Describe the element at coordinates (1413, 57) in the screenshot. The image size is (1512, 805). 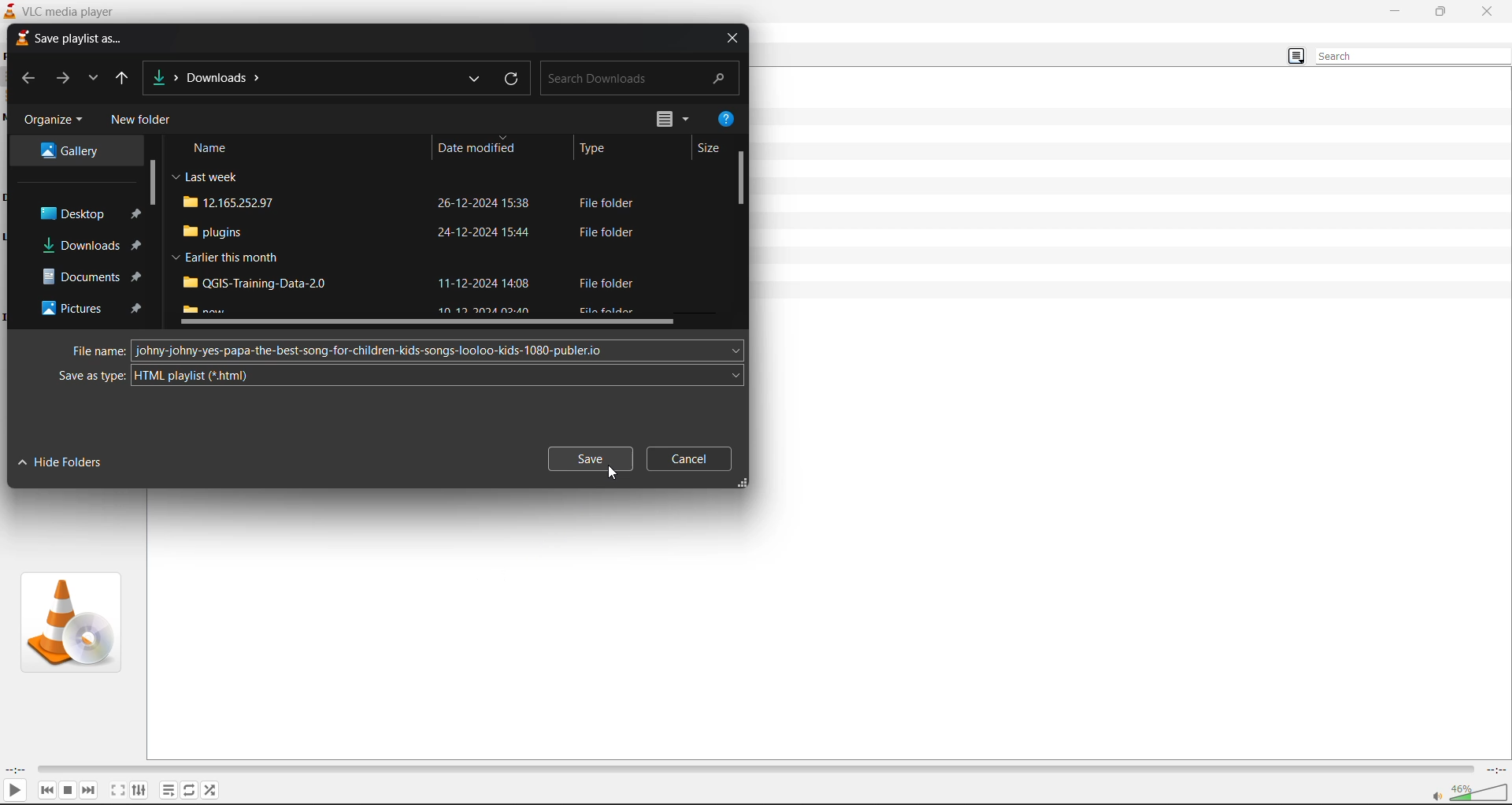
I see `search` at that location.